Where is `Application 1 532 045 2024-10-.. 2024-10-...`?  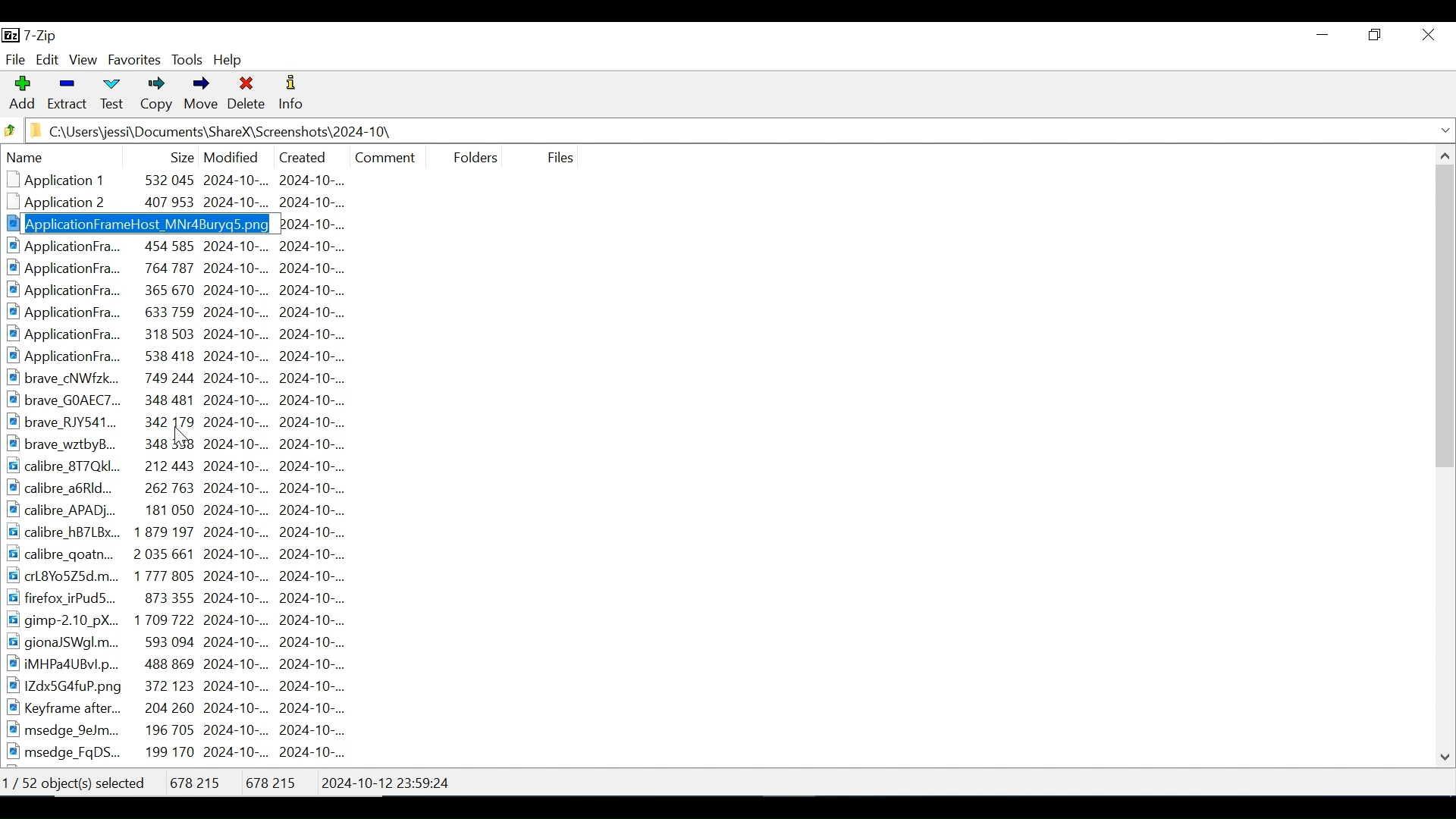
Application 1 532 045 2024-10-.. 2024-10-... is located at coordinates (195, 180).